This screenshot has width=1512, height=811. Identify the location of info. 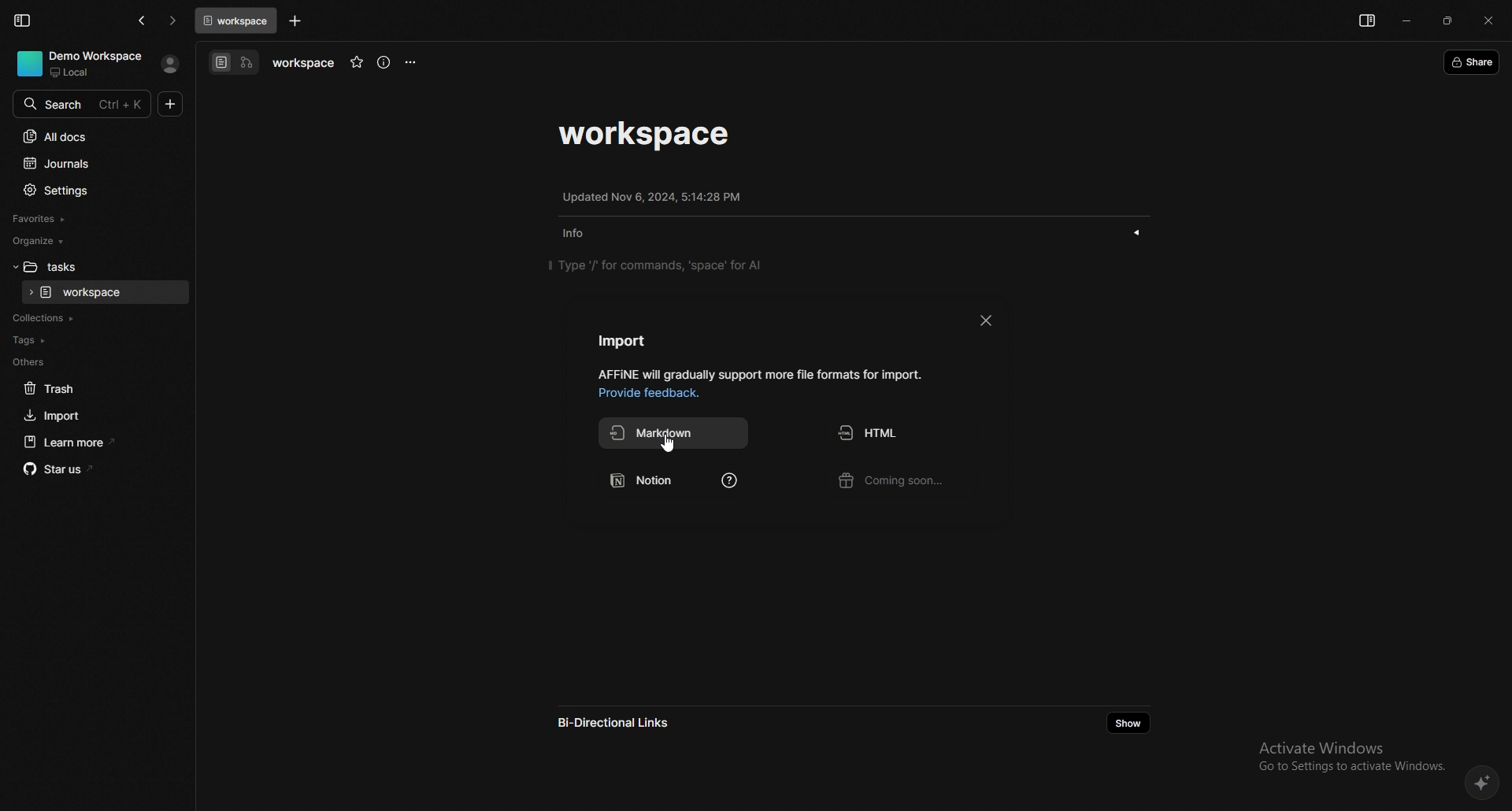
(760, 375).